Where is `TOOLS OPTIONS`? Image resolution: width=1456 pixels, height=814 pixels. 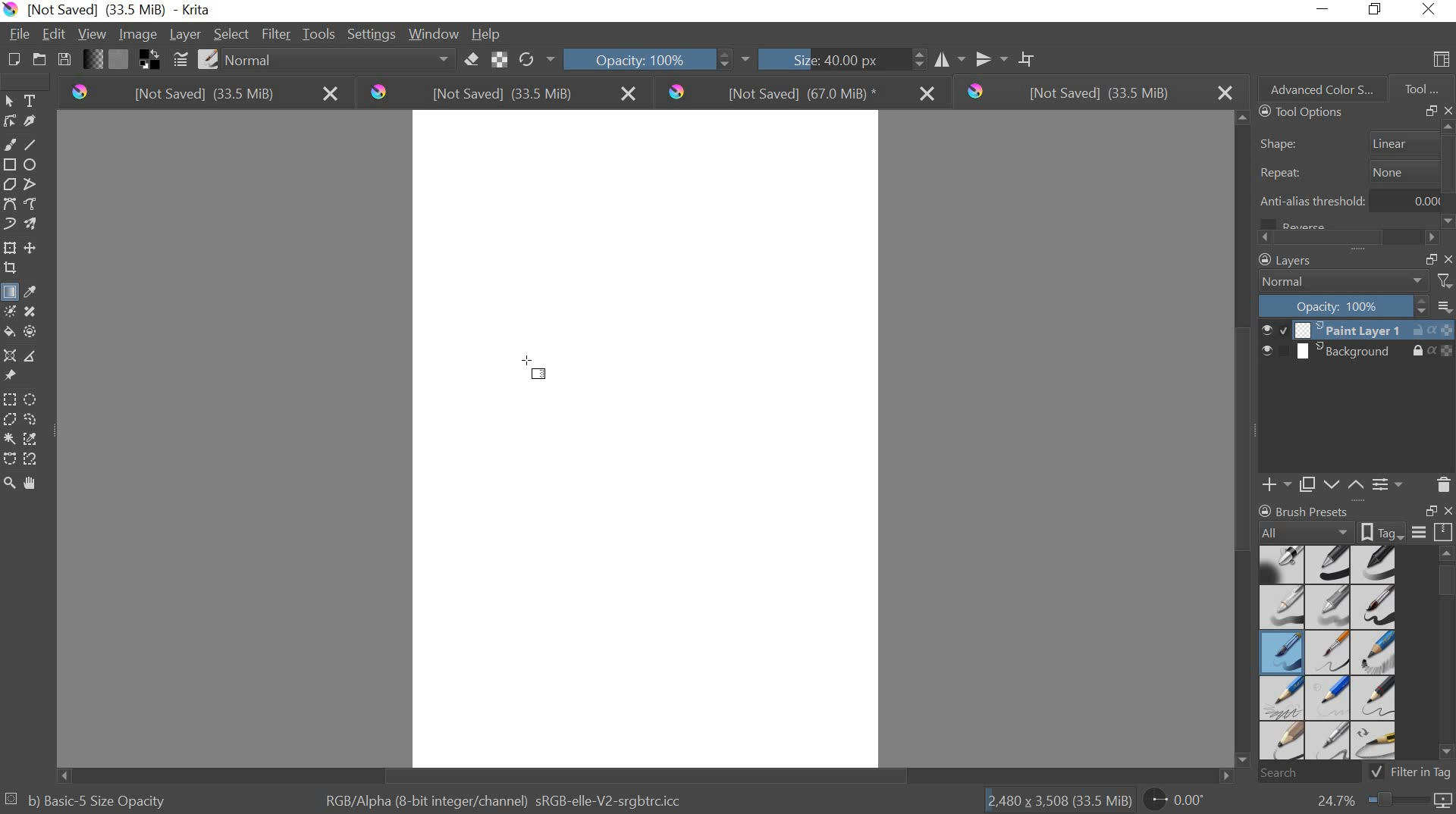
TOOLS OPTIONS is located at coordinates (1298, 113).